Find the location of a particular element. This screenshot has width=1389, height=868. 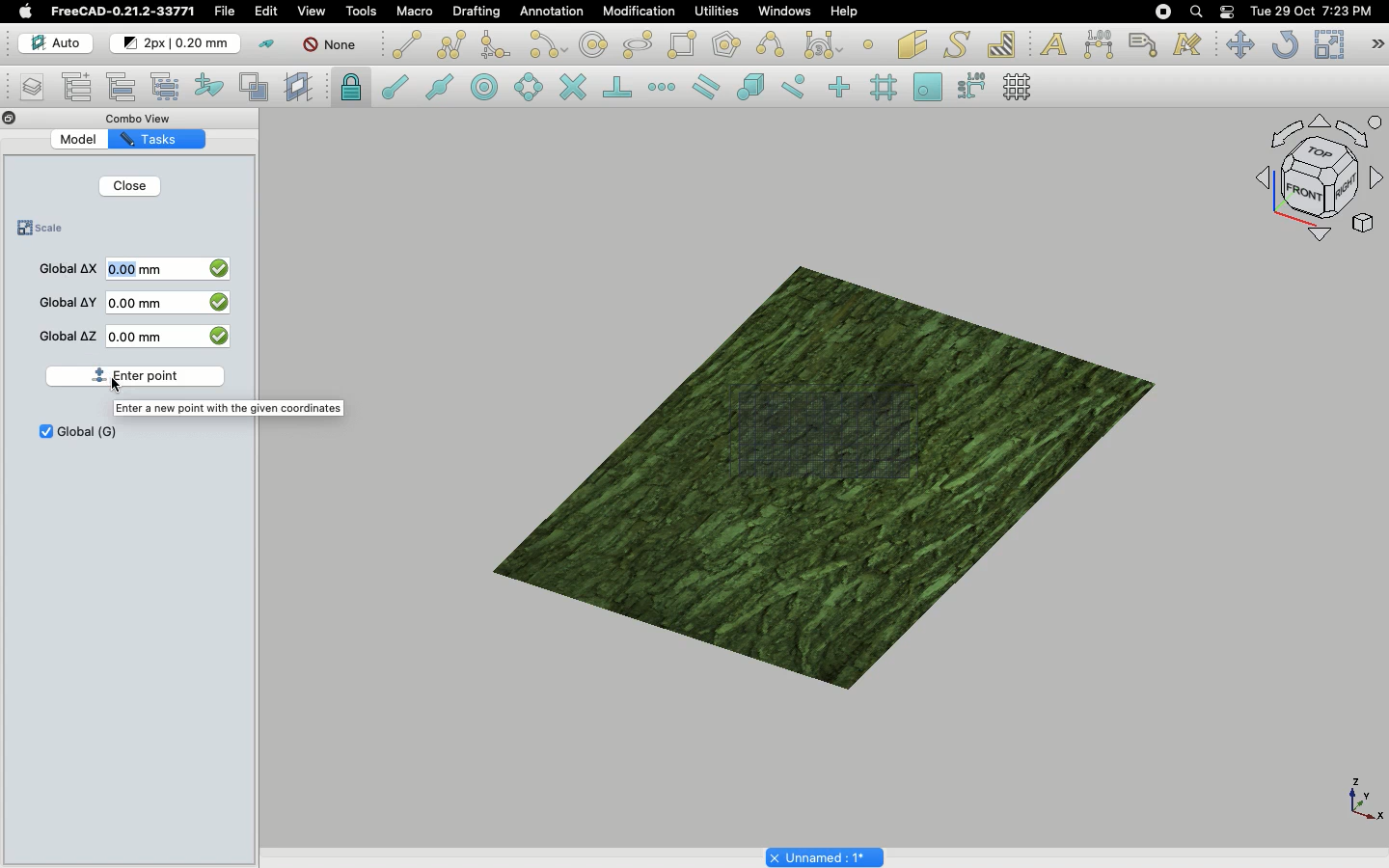

Global X is located at coordinates (68, 271).